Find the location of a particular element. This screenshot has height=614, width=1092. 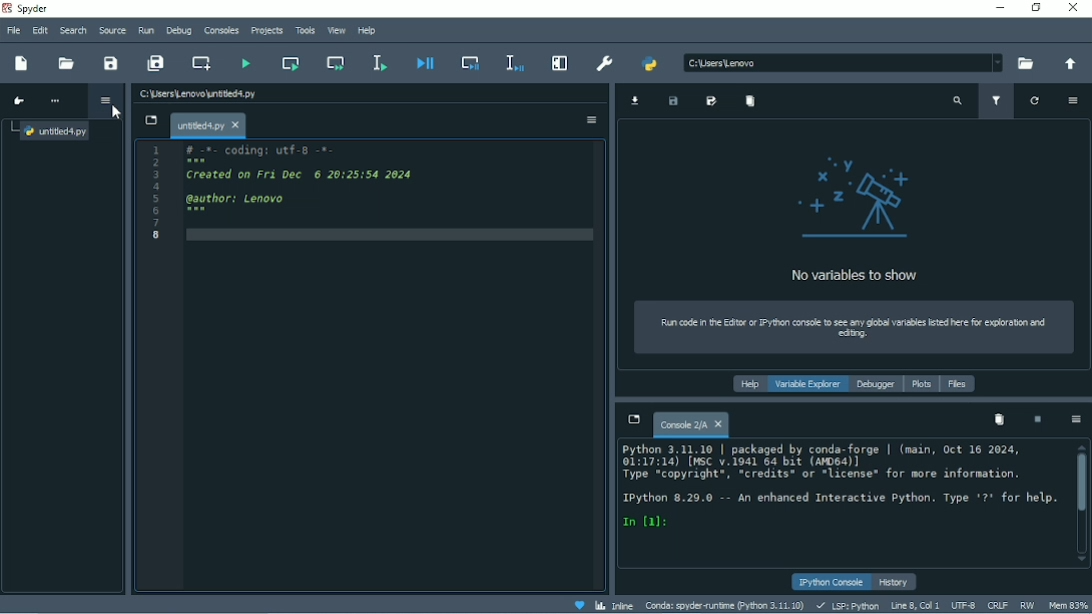

Options is located at coordinates (1071, 100).